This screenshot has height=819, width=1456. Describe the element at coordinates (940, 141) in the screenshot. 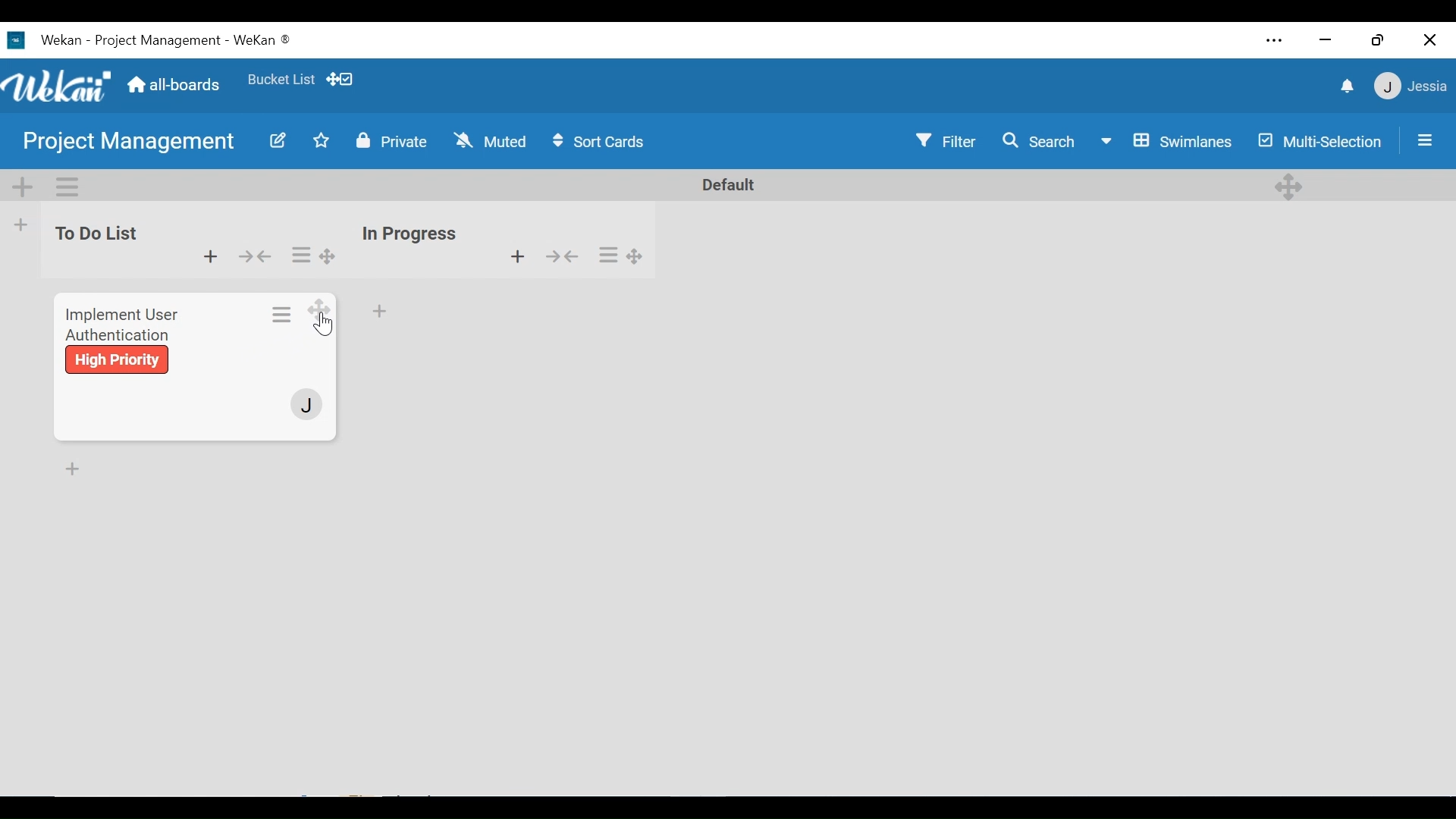

I see ` Filter` at that location.